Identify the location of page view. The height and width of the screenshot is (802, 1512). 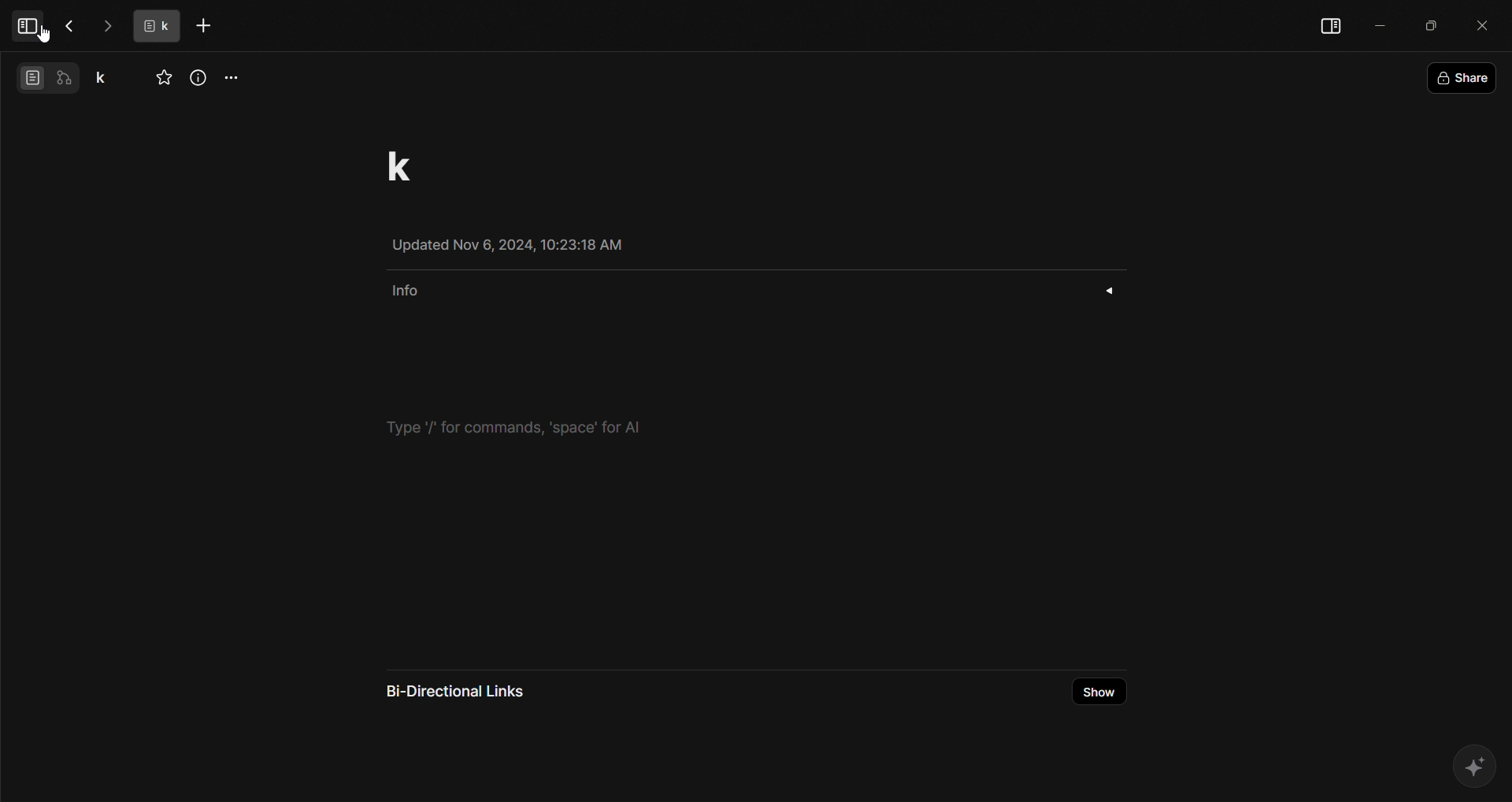
(30, 76).